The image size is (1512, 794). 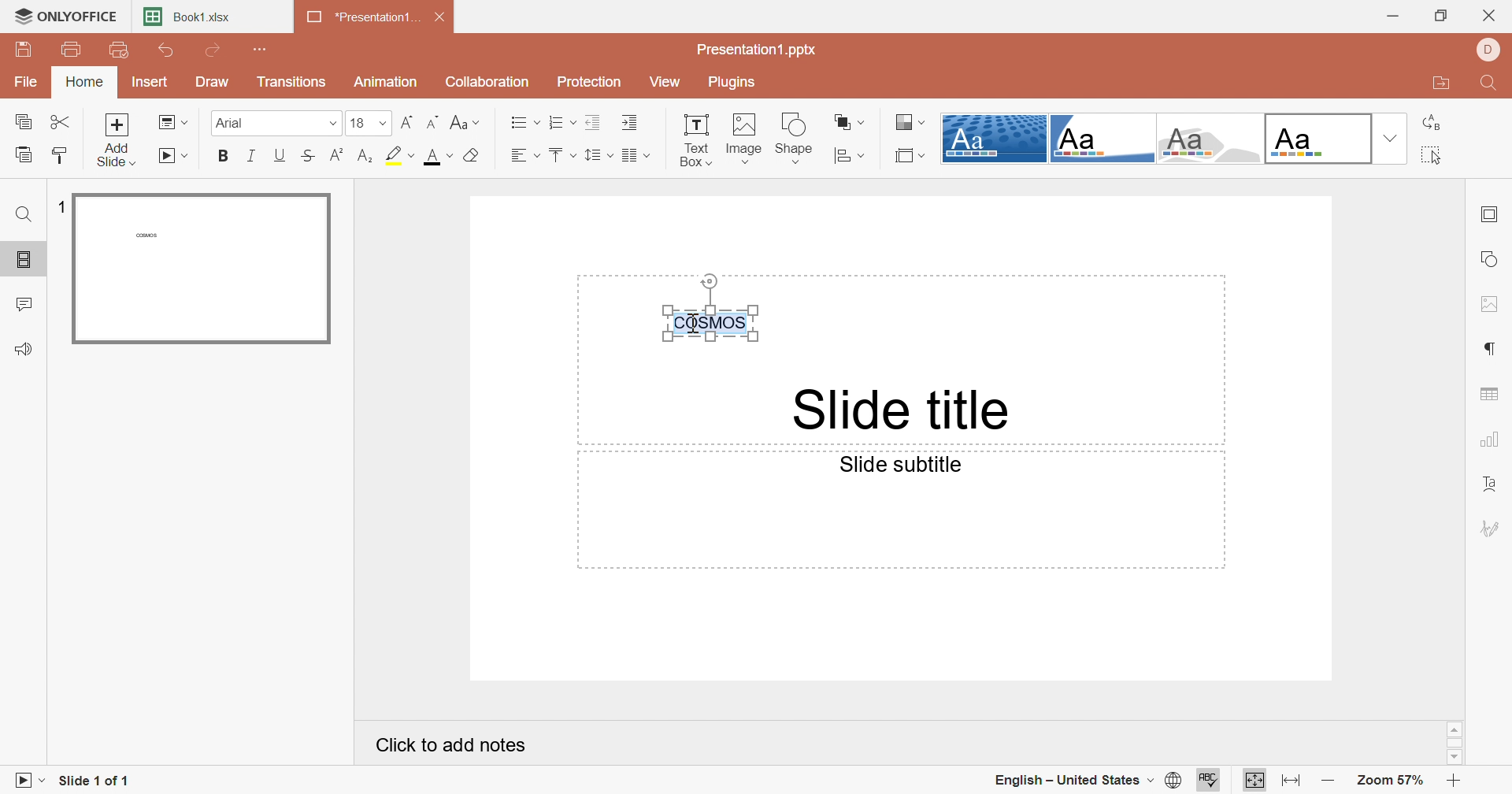 I want to click on Shape, so click(x=795, y=139).